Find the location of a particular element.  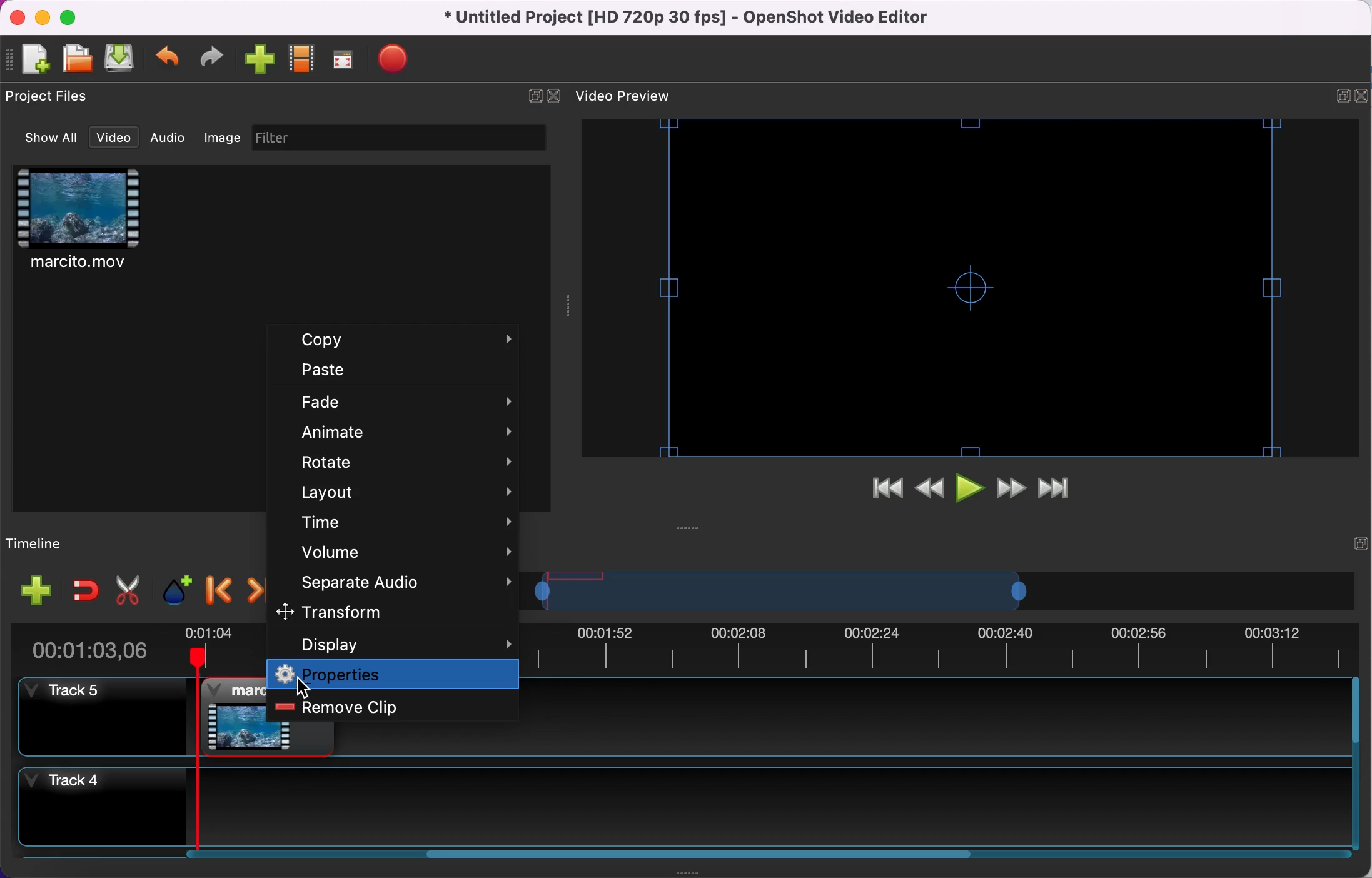

close is located at coordinates (554, 94).